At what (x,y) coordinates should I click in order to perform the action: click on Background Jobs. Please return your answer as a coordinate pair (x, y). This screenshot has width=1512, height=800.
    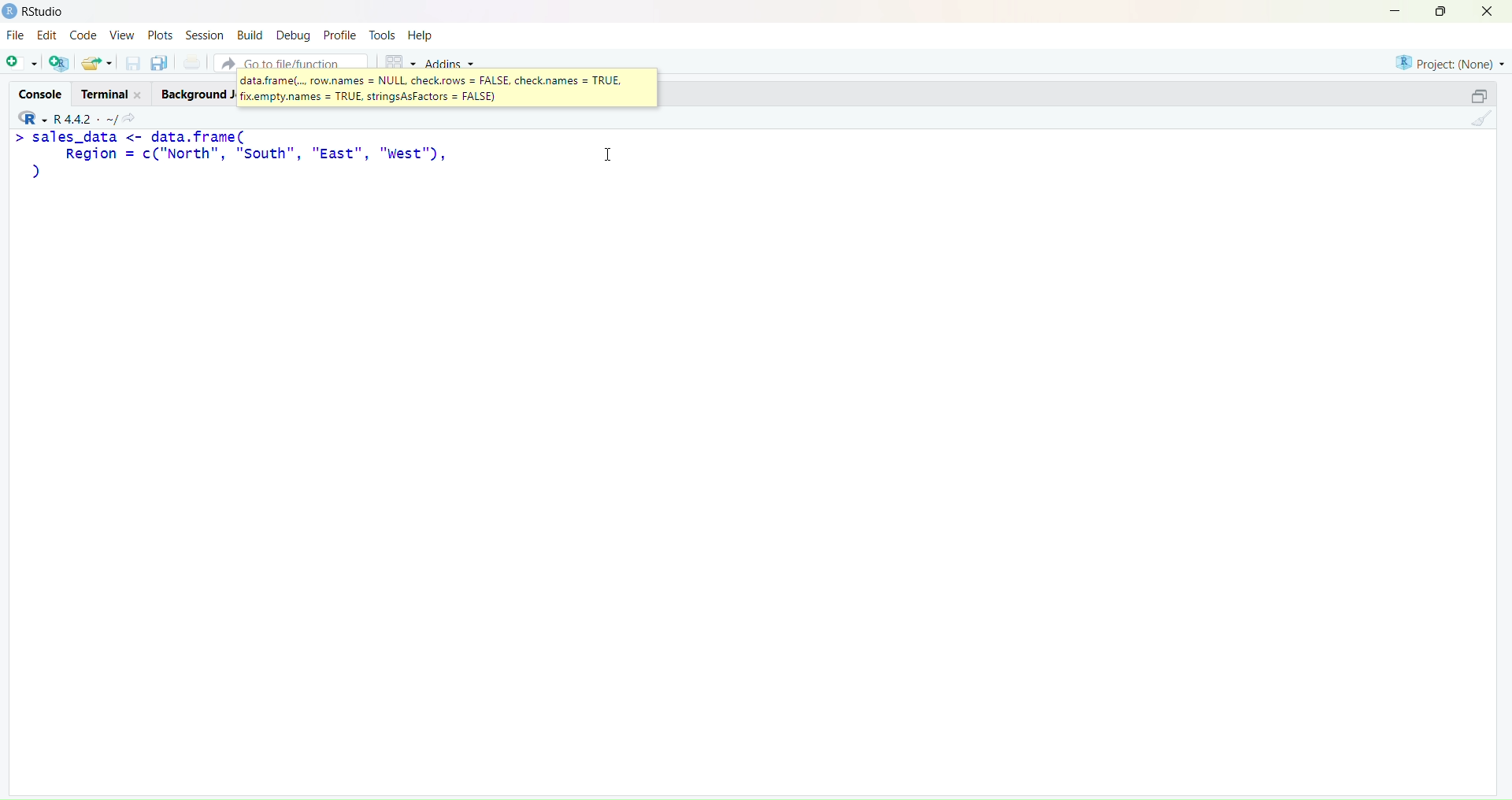
    Looking at the image, I should click on (195, 94).